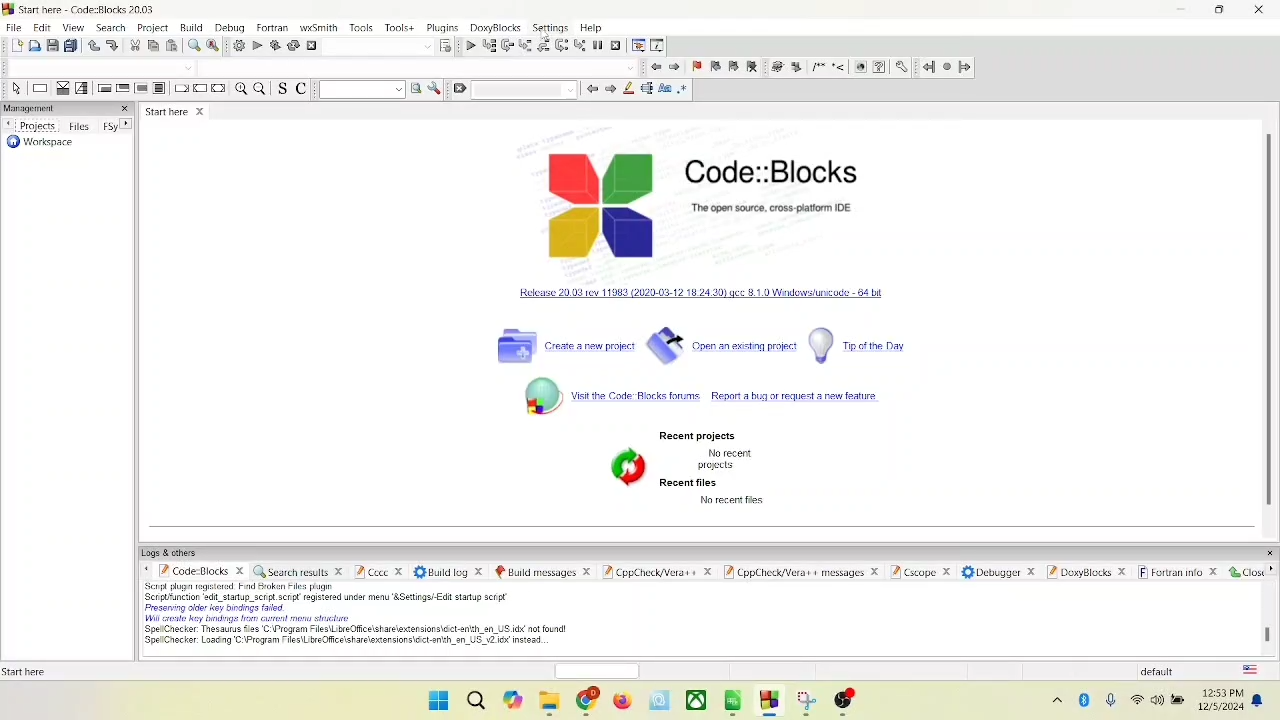 The height and width of the screenshot is (720, 1280). What do you see at coordinates (101, 89) in the screenshot?
I see `entry condition loop` at bounding box center [101, 89].